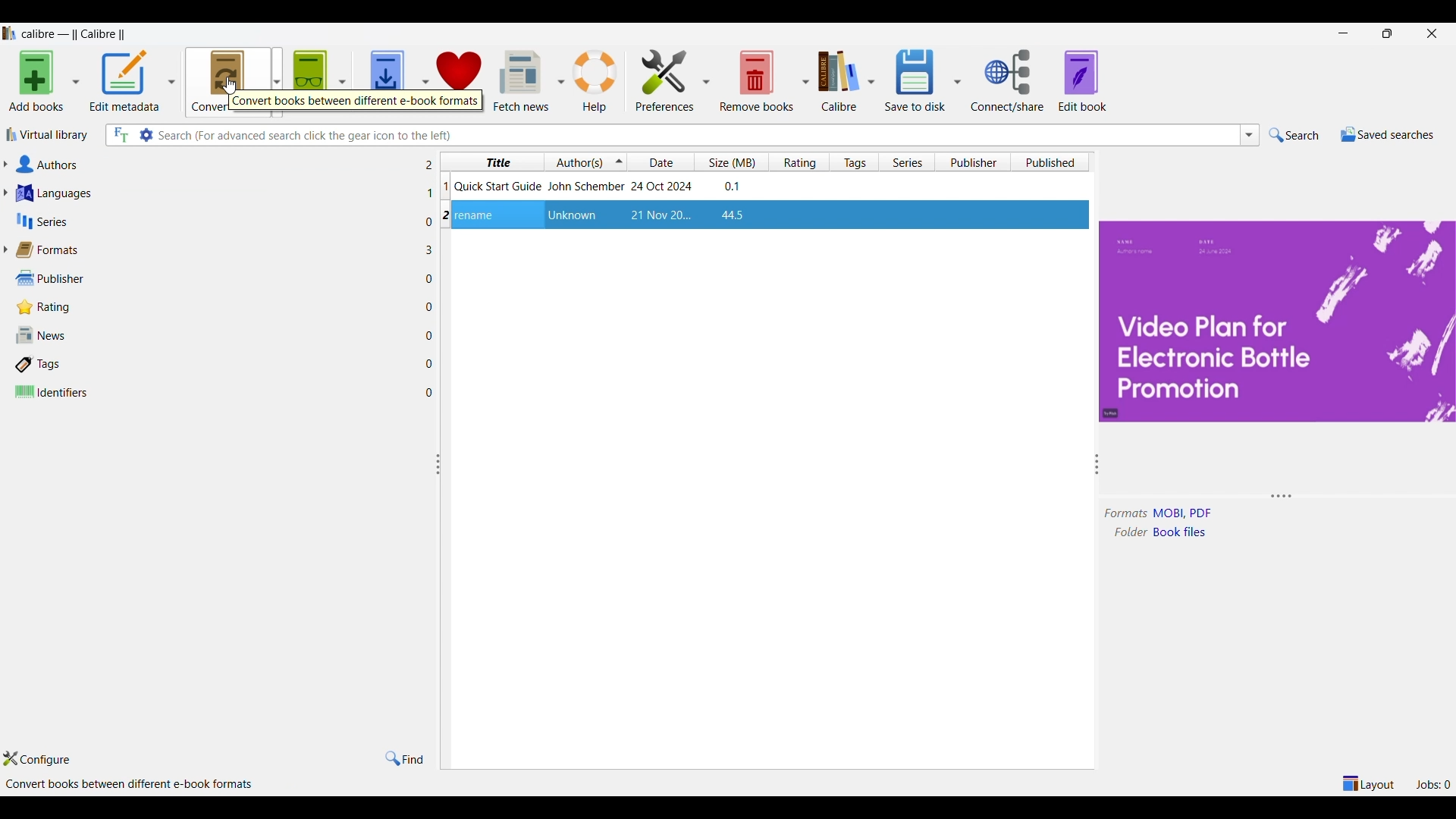  What do you see at coordinates (1387, 33) in the screenshot?
I see `restore` at bounding box center [1387, 33].